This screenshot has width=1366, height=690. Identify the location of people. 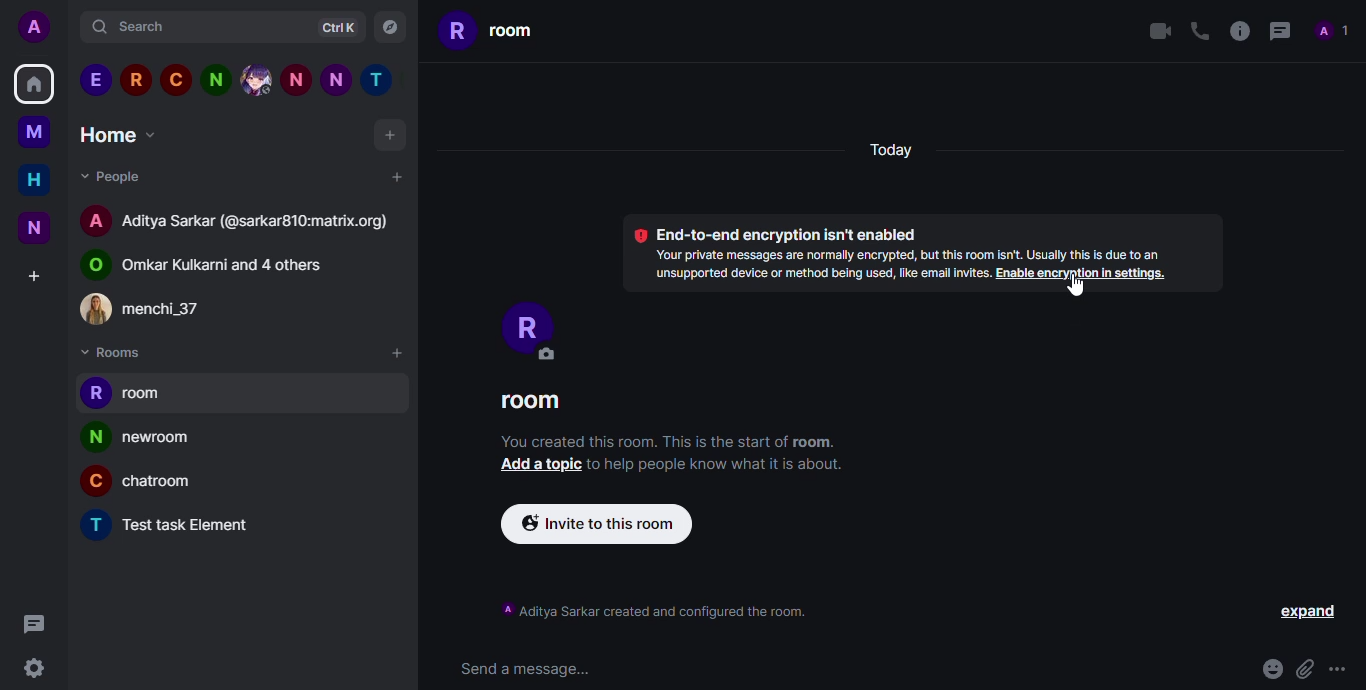
(233, 267).